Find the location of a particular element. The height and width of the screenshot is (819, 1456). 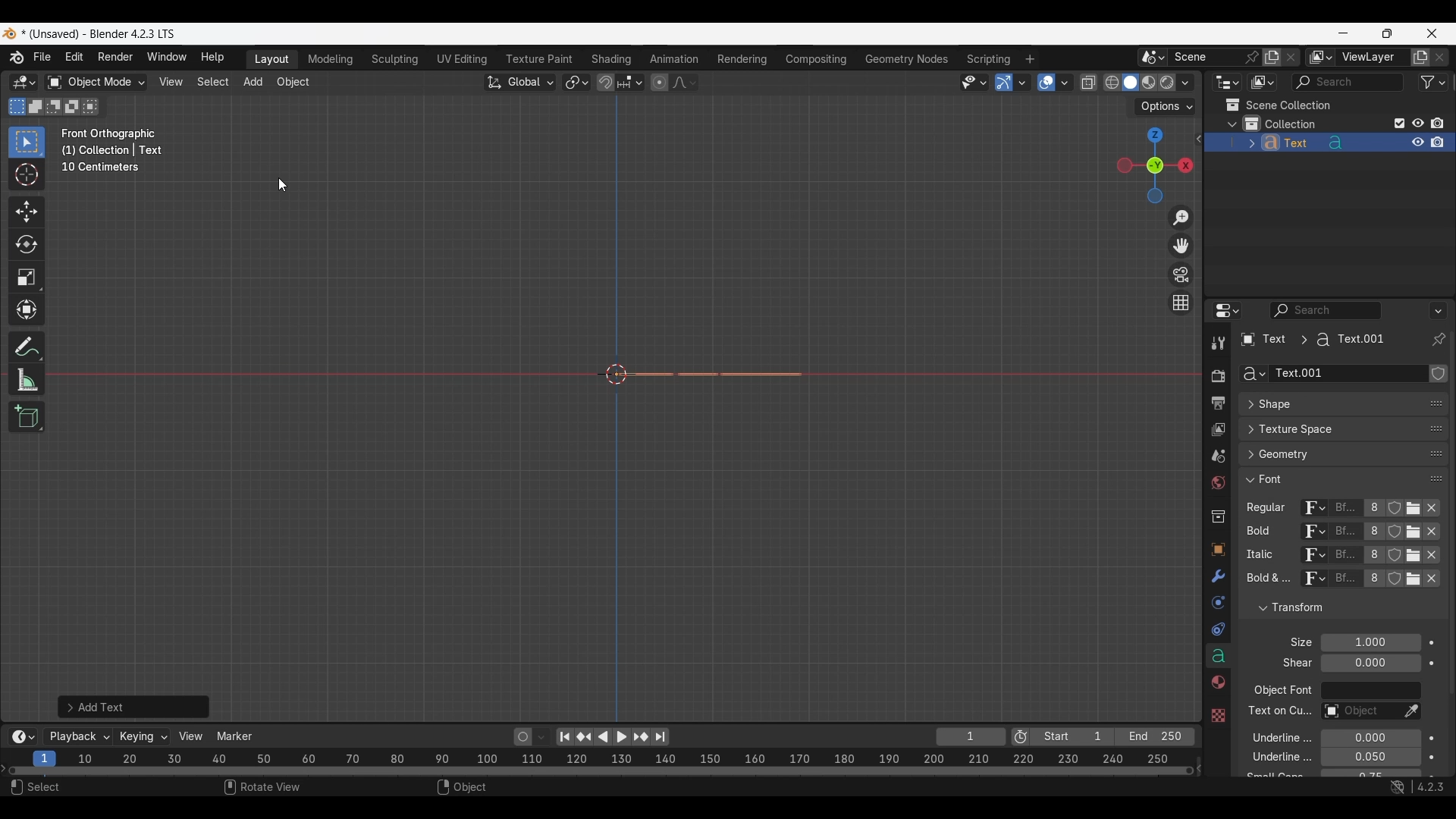

Scene property, current selection is located at coordinates (1218, 457).